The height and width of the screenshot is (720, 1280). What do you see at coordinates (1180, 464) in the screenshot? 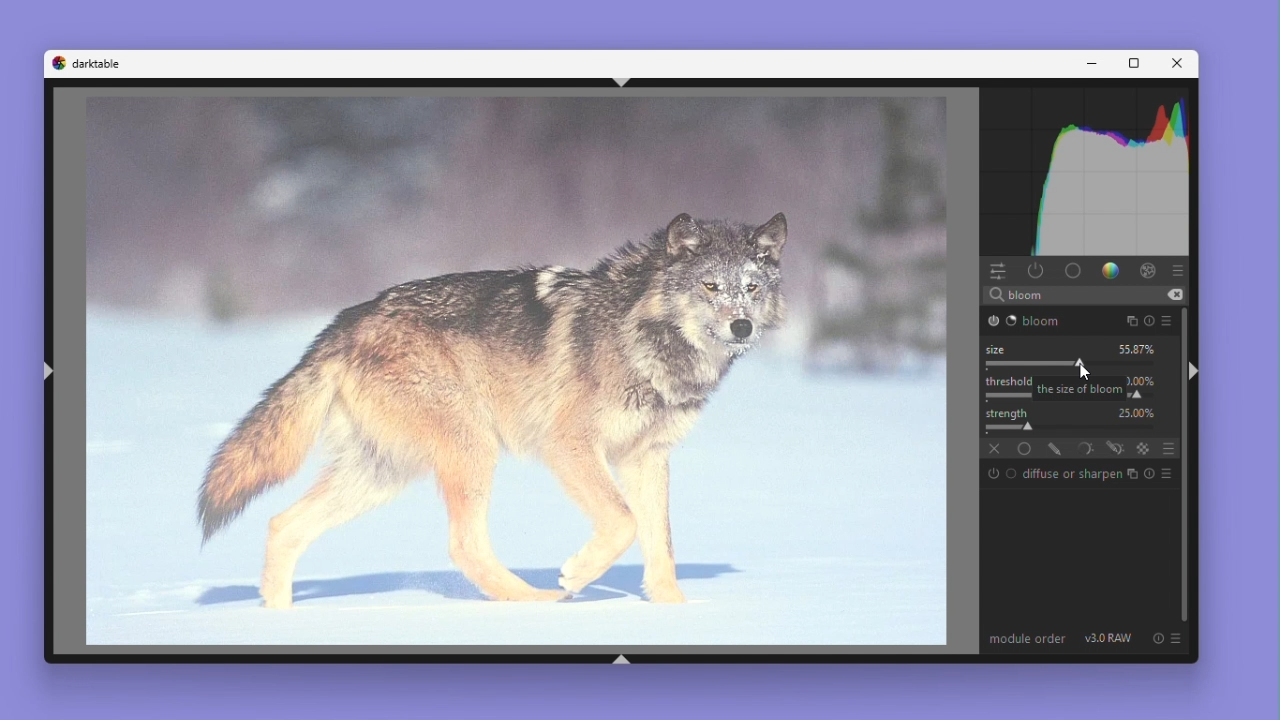
I see `Vertical scroll bar` at bounding box center [1180, 464].